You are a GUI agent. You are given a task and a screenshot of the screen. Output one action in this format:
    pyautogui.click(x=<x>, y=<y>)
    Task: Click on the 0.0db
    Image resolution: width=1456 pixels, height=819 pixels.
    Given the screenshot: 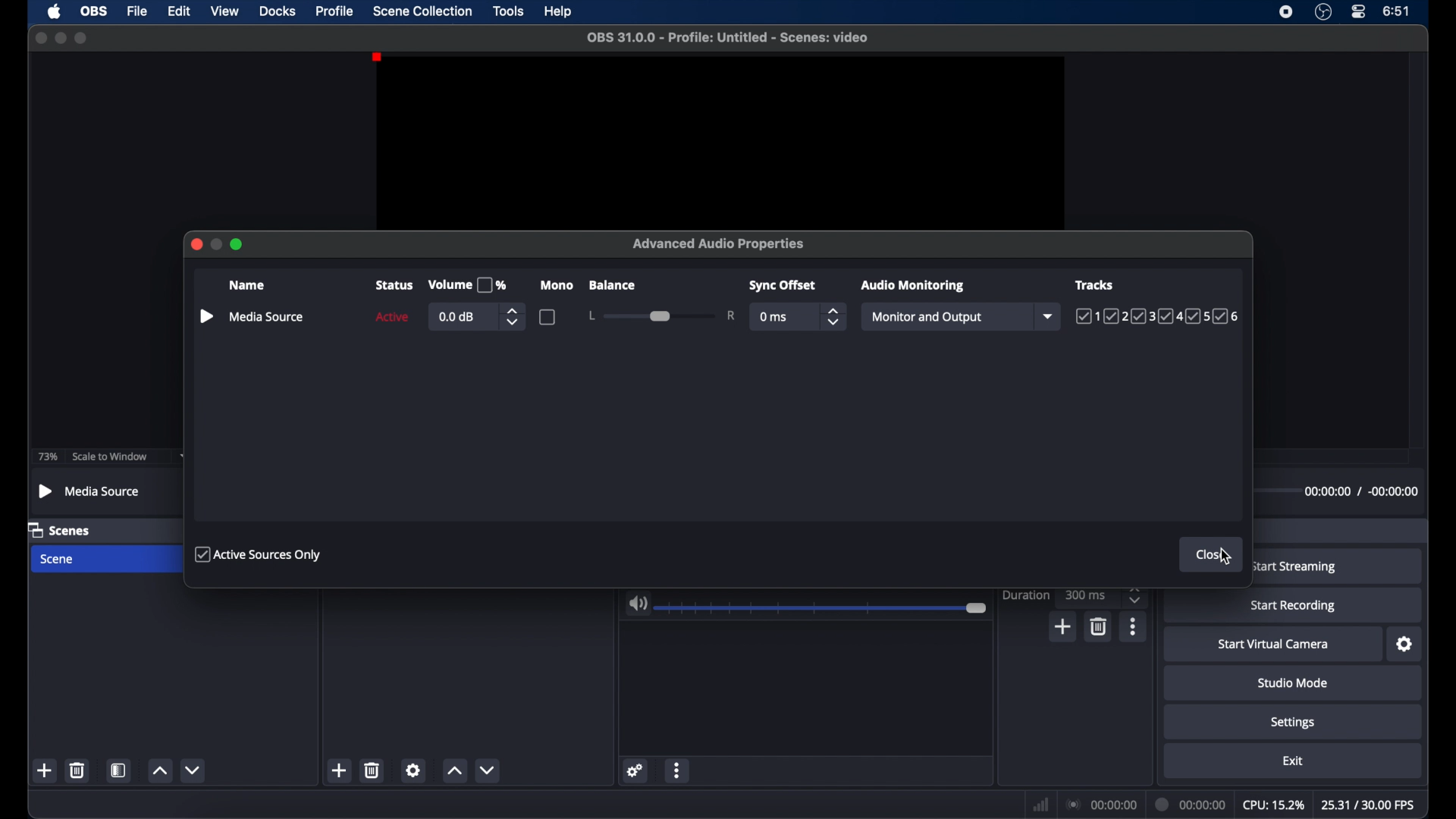 What is the action you would take?
    pyautogui.click(x=459, y=317)
    